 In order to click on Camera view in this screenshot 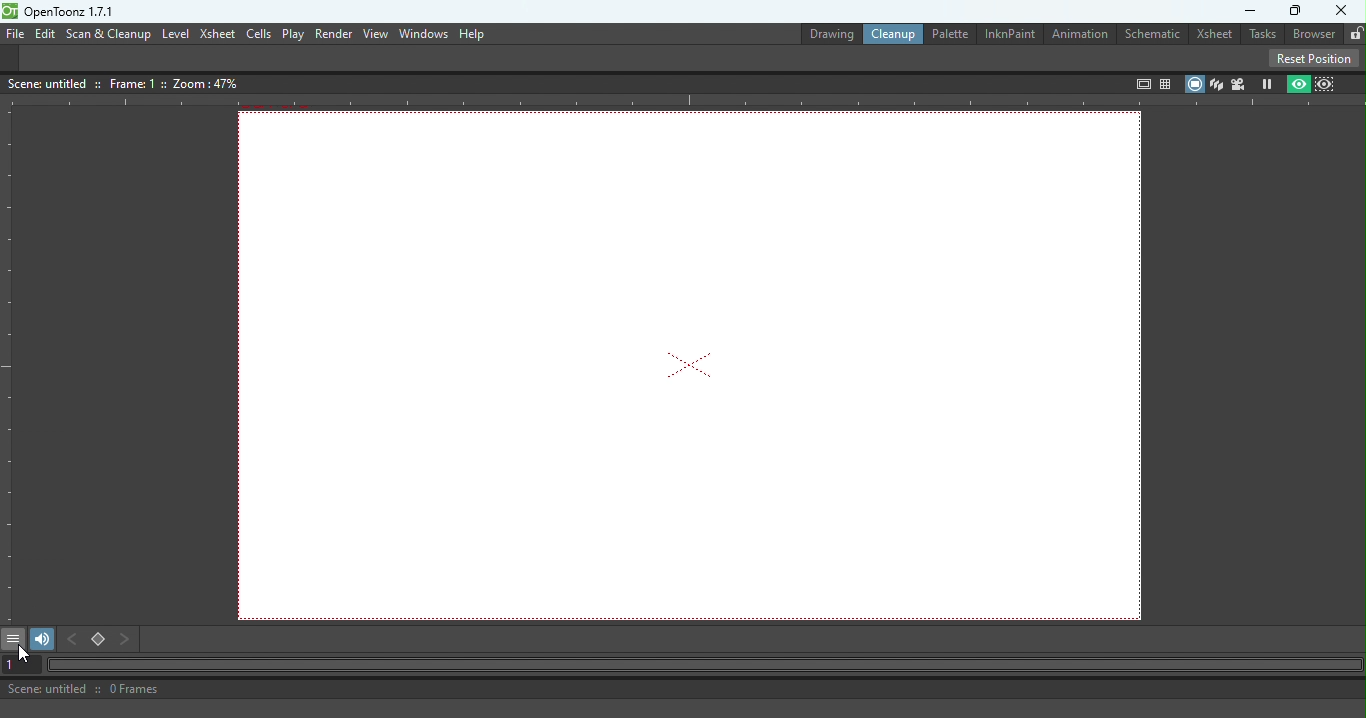, I will do `click(1239, 83)`.